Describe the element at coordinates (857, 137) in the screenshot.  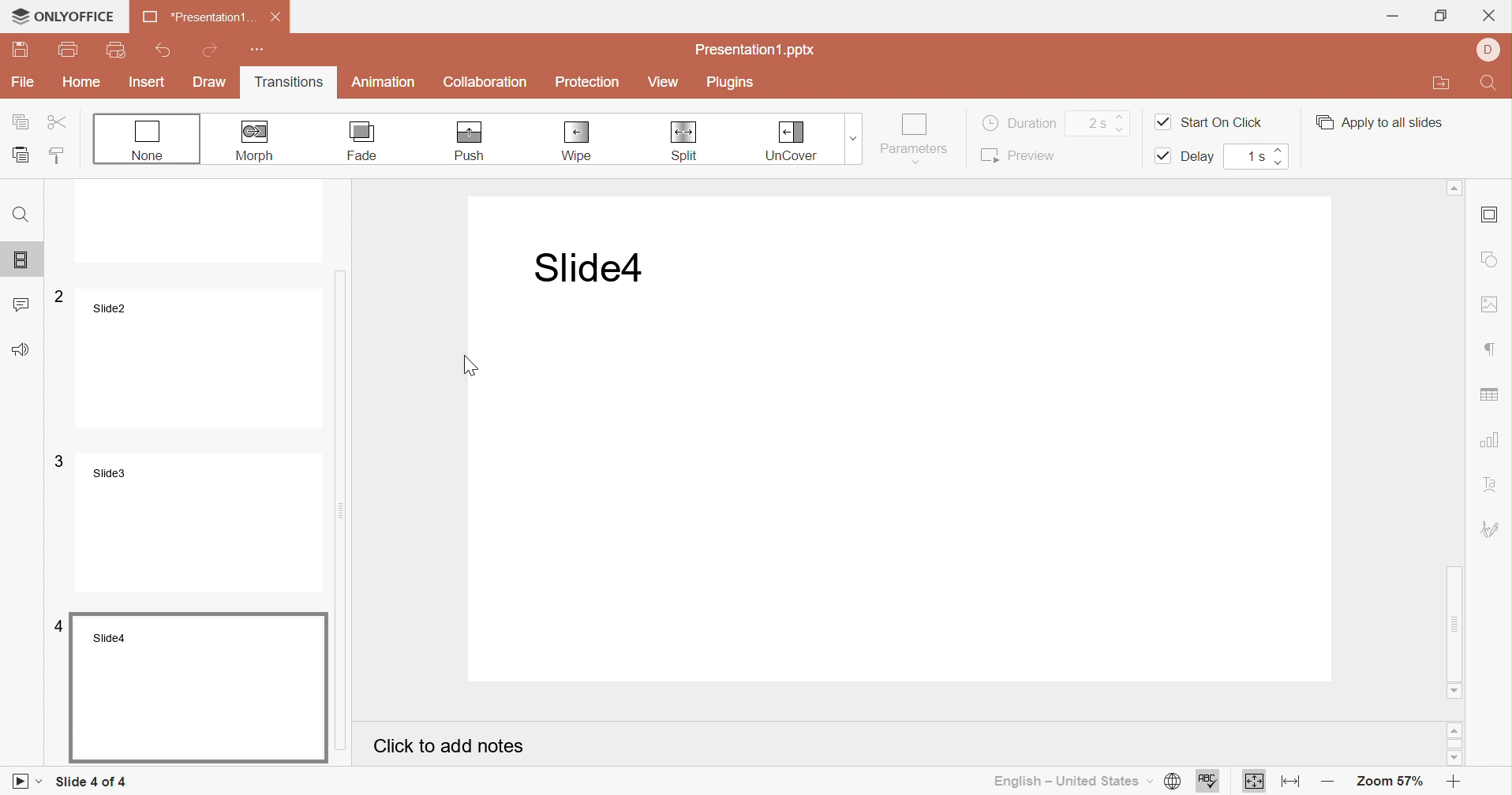
I see `Transitions drop down` at that location.